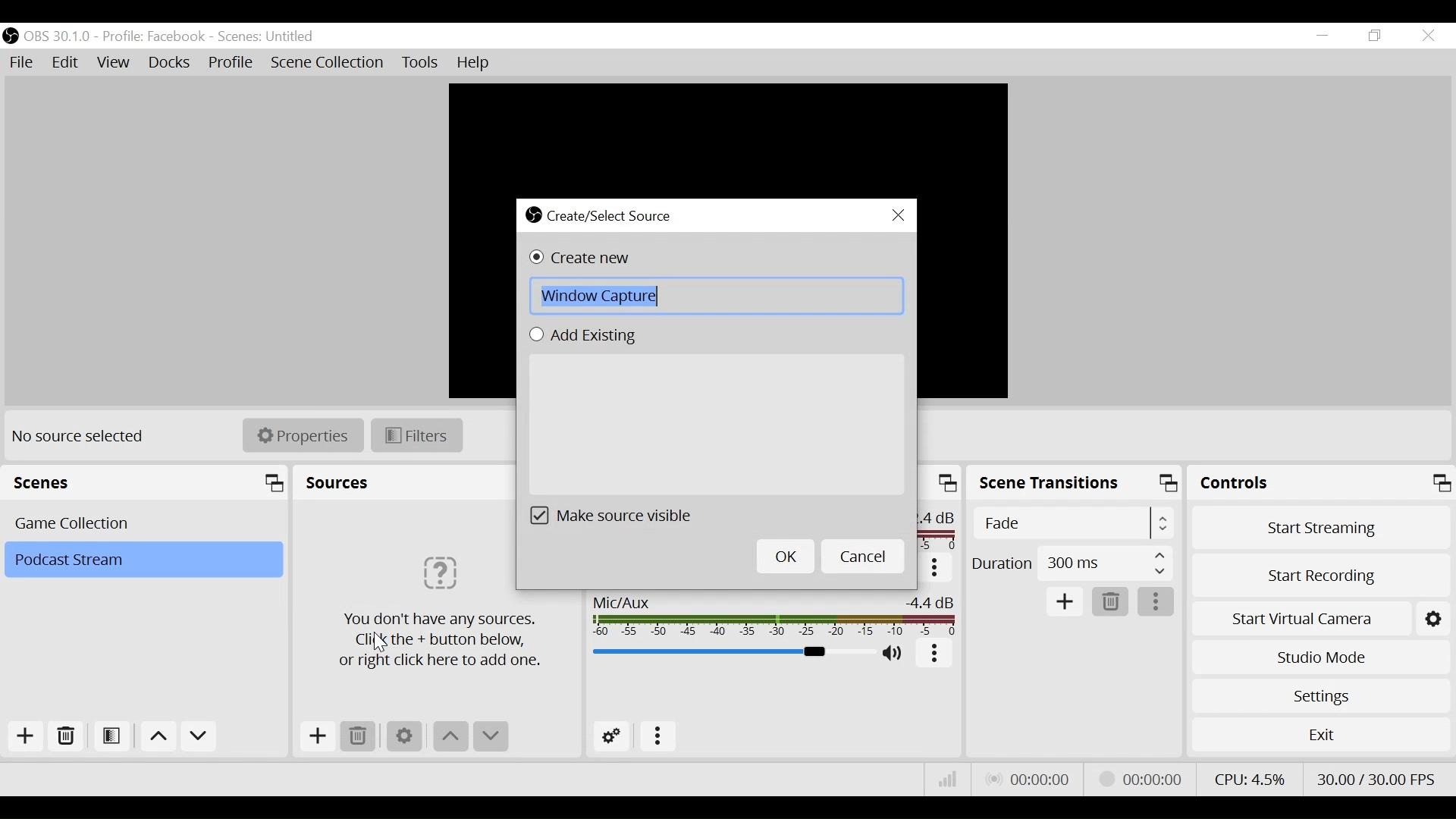 The width and height of the screenshot is (1456, 819). I want to click on (un)select Create new, so click(585, 258).